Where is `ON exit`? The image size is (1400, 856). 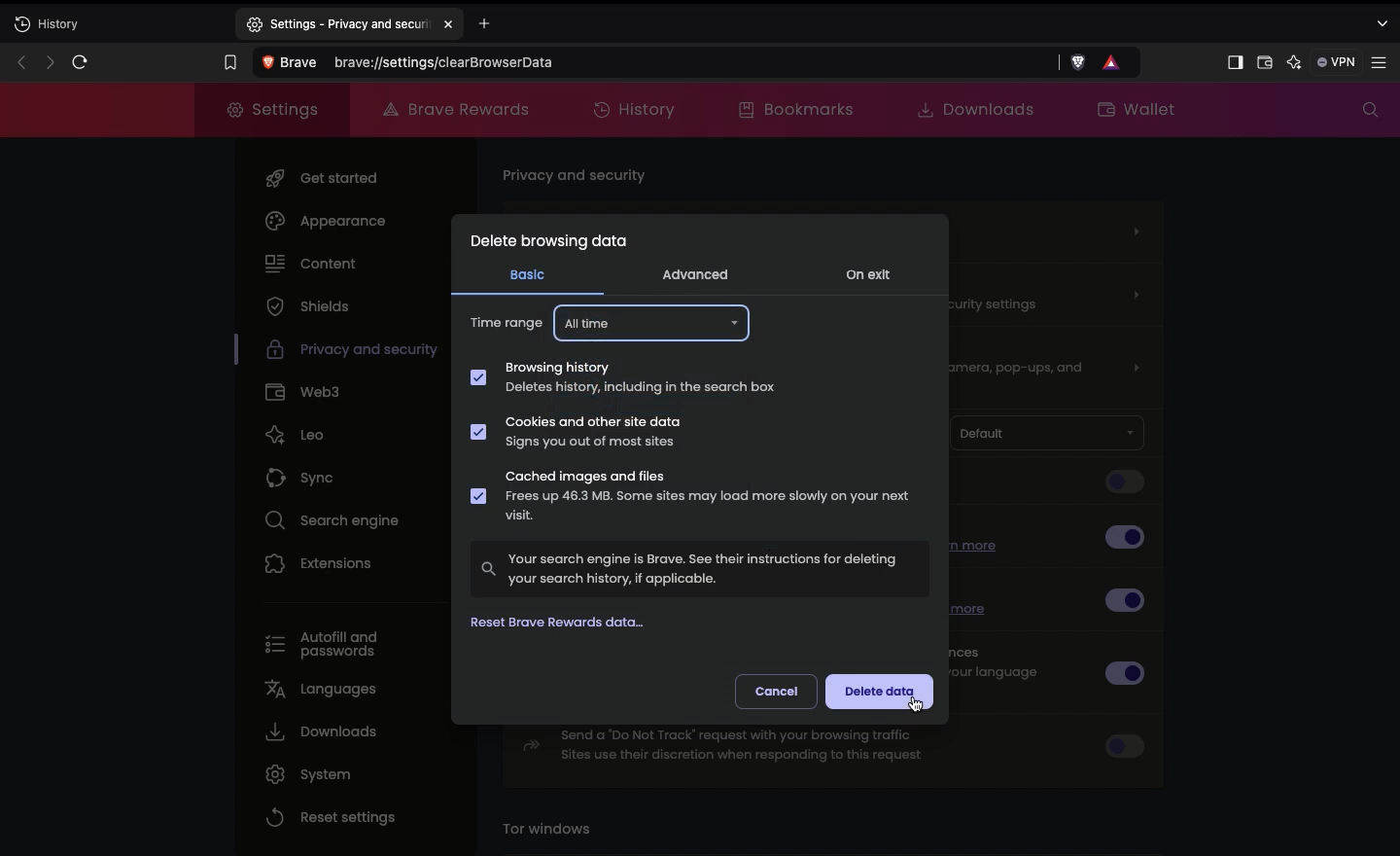 ON exit is located at coordinates (872, 277).